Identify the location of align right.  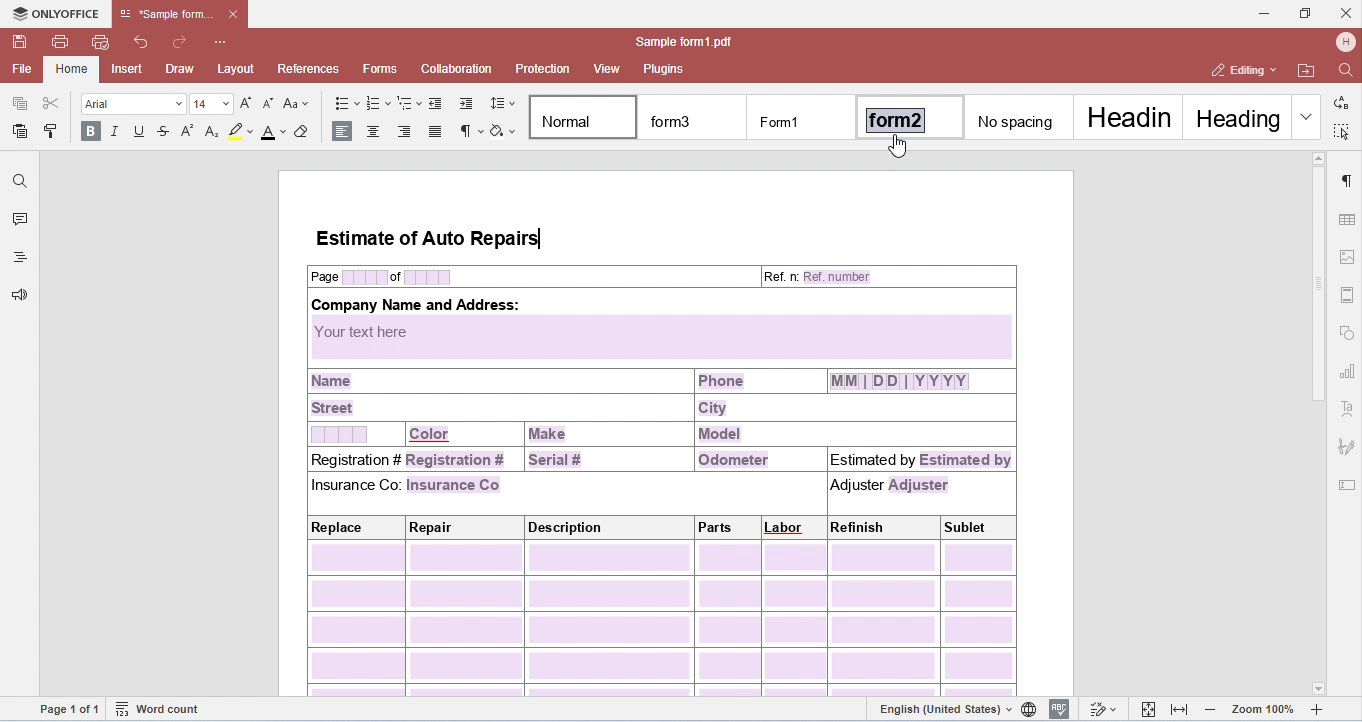
(407, 131).